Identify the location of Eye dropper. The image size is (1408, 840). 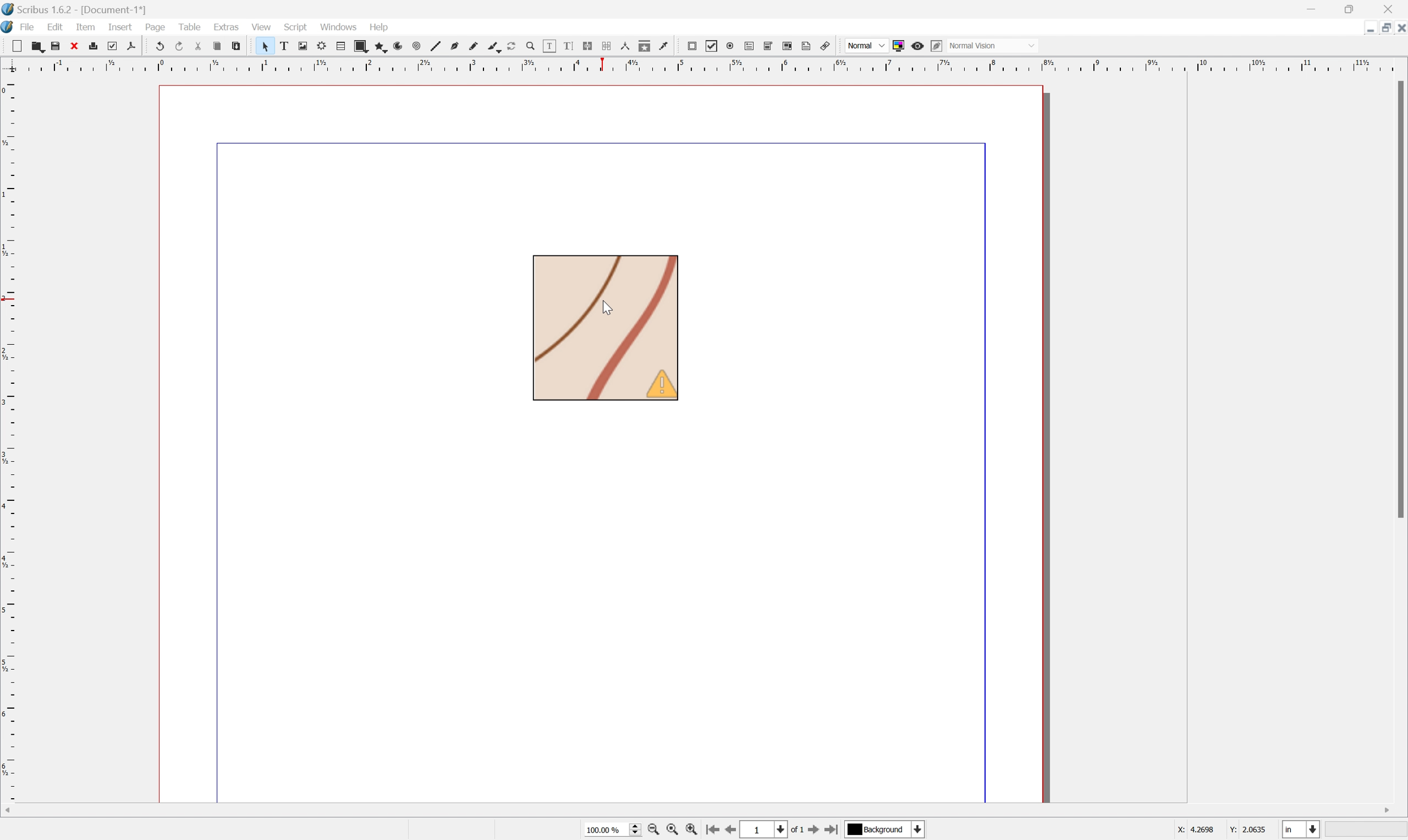
(667, 46).